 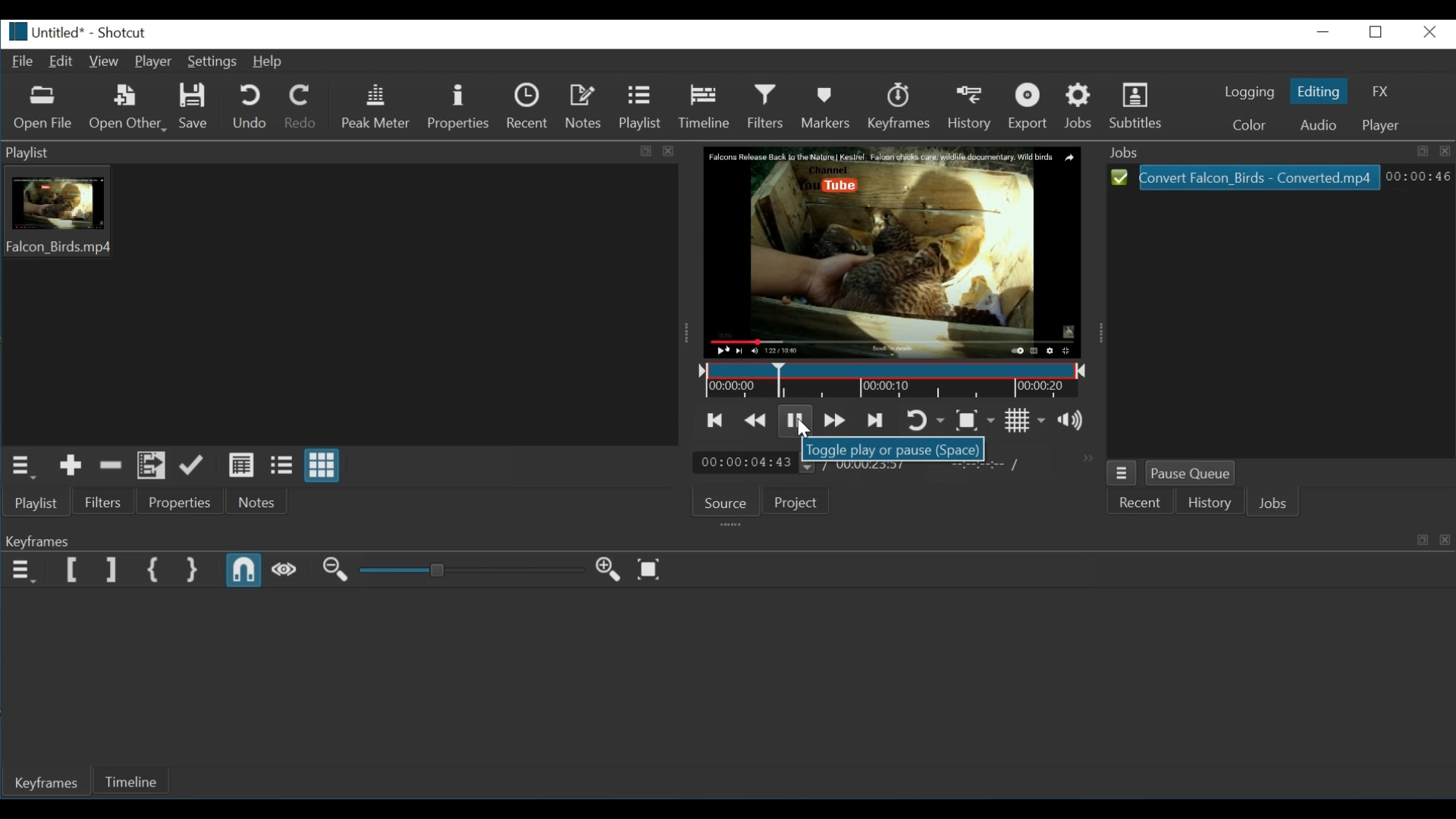 What do you see at coordinates (124, 33) in the screenshot?
I see `Shotcut` at bounding box center [124, 33].